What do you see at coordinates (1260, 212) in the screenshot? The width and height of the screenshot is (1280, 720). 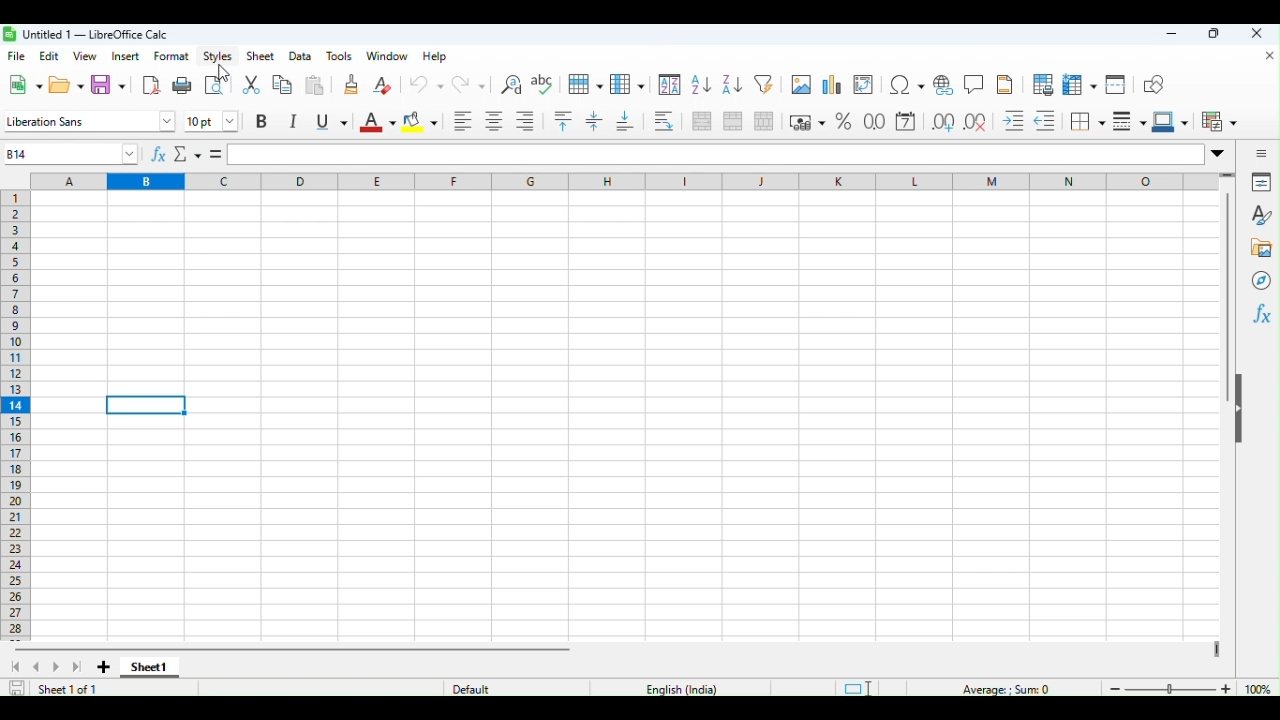 I see `Style` at bounding box center [1260, 212].